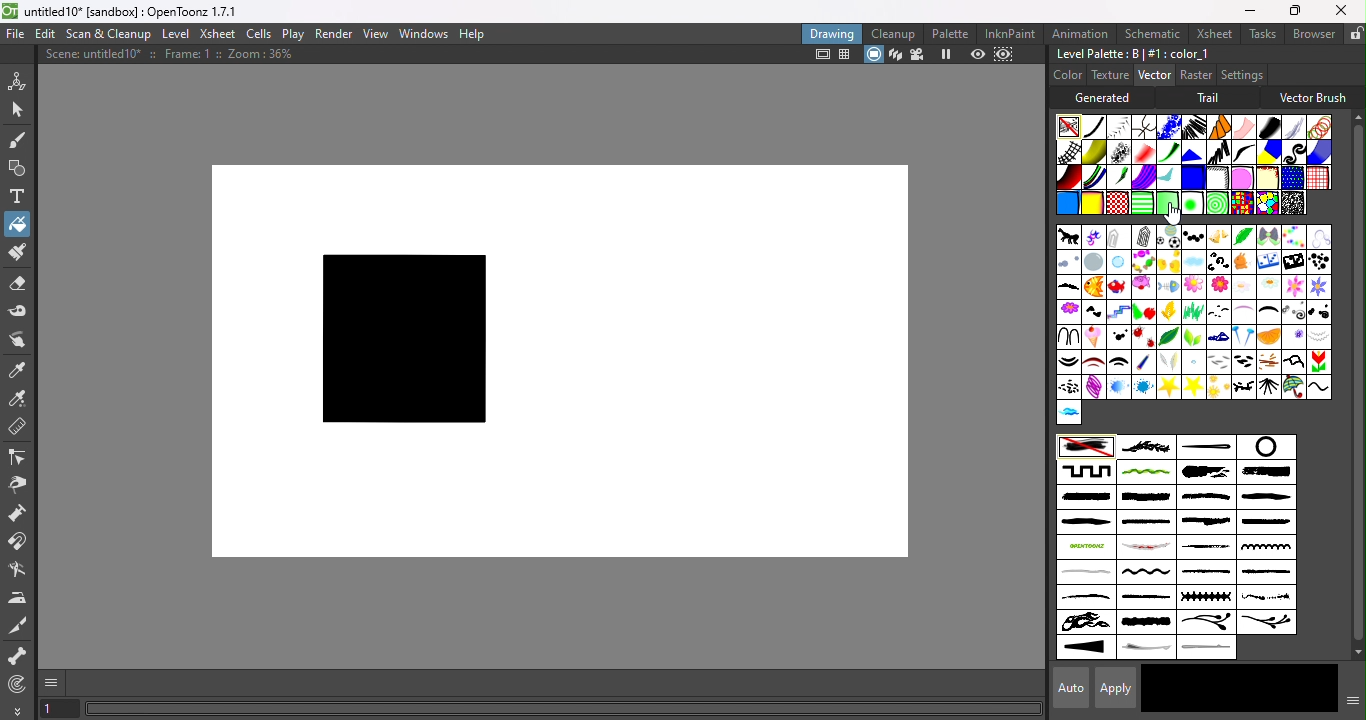  I want to click on View, so click(375, 34).